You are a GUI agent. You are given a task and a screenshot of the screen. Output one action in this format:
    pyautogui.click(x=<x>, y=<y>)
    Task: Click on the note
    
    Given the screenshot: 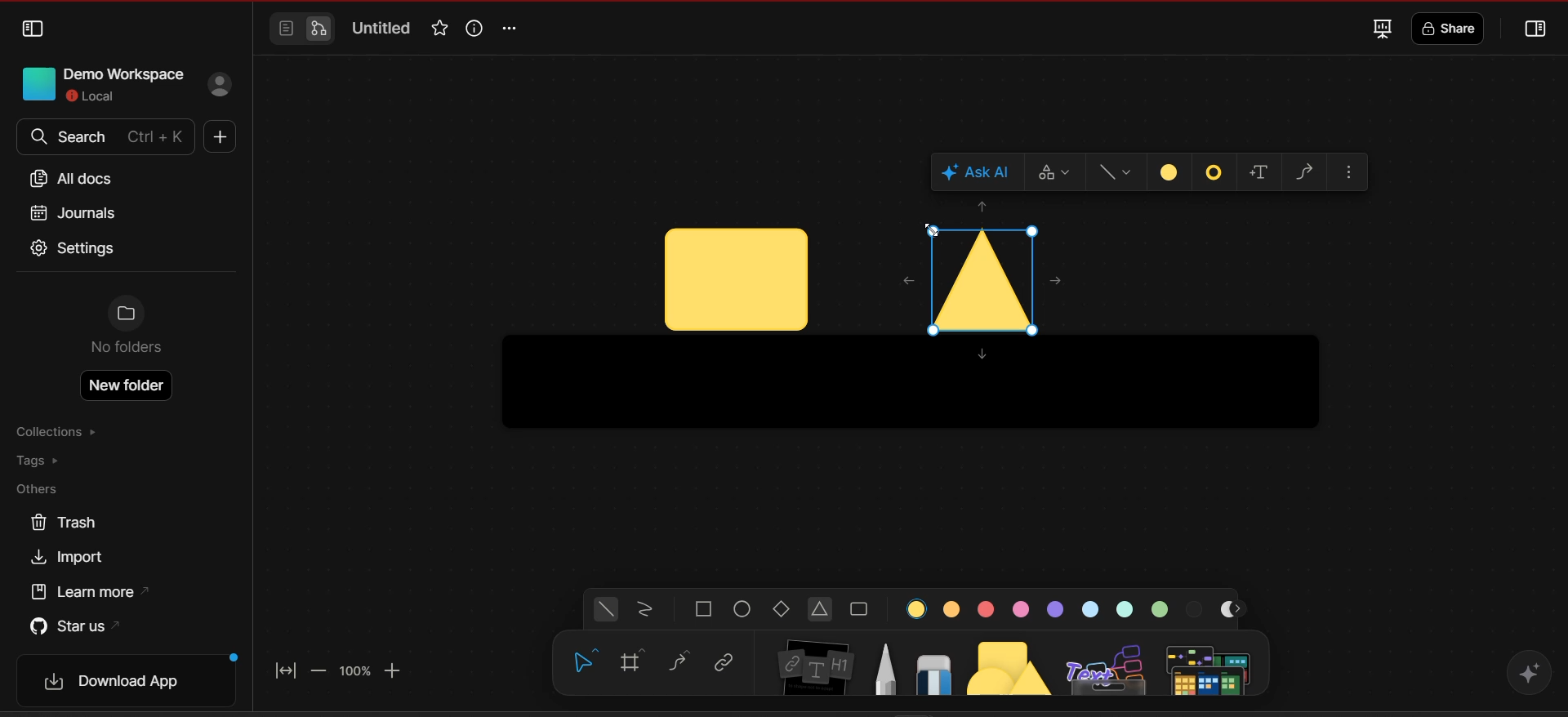 What is the action you would take?
    pyautogui.click(x=817, y=663)
    